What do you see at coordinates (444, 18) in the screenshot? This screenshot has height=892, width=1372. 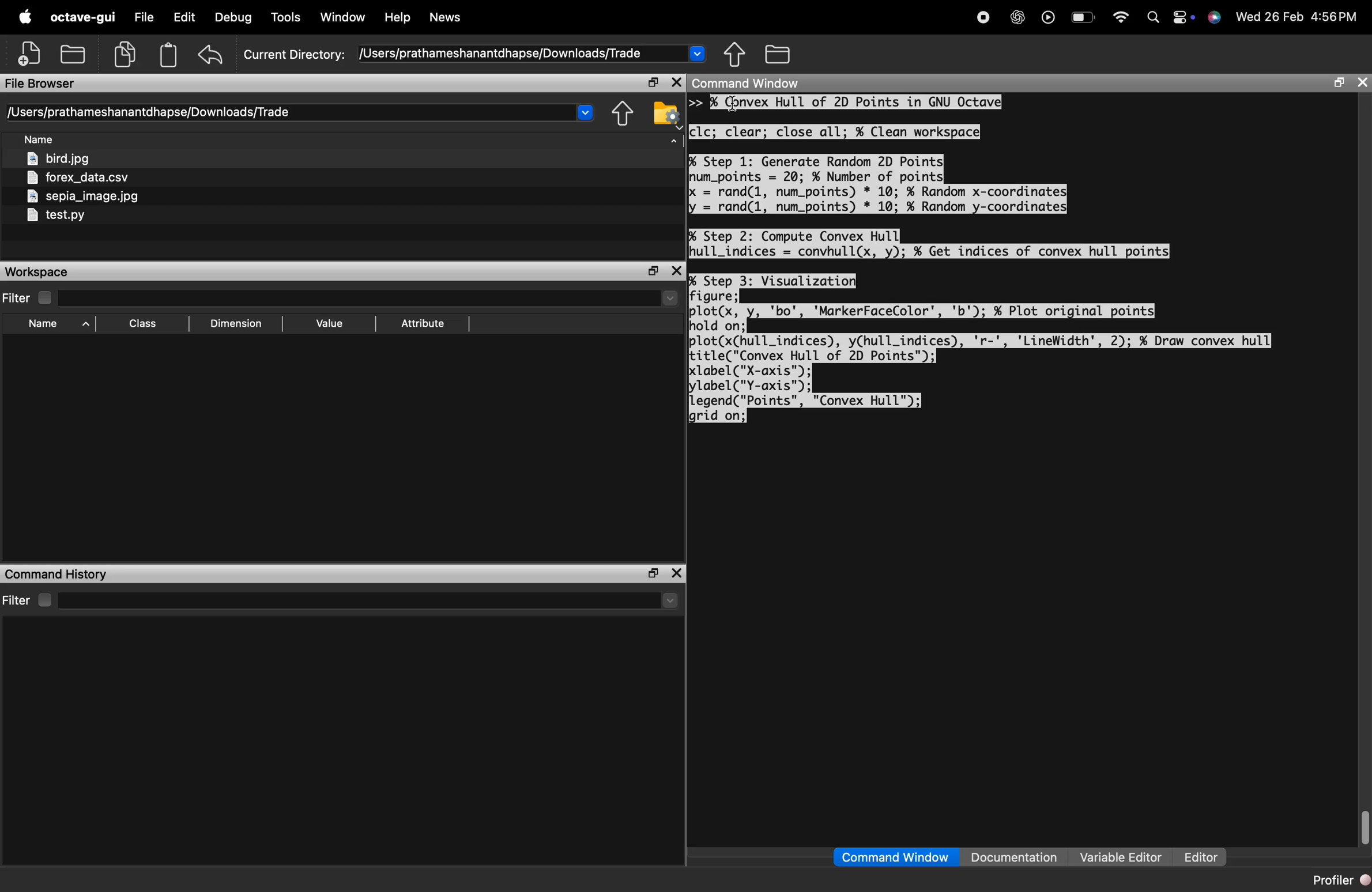 I see `News` at bounding box center [444, 18].